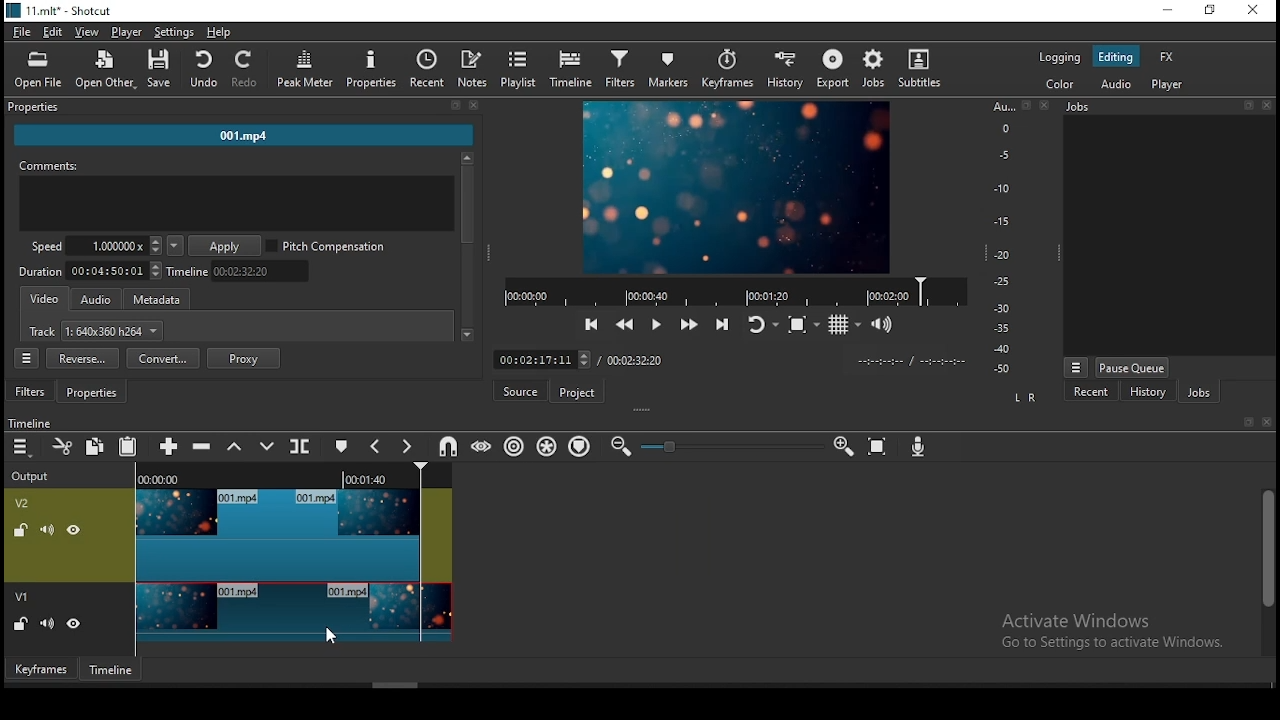 Image resolution: width=1280 pixels, height=720 pixels. I want to click on video preview, so click(734, 189).